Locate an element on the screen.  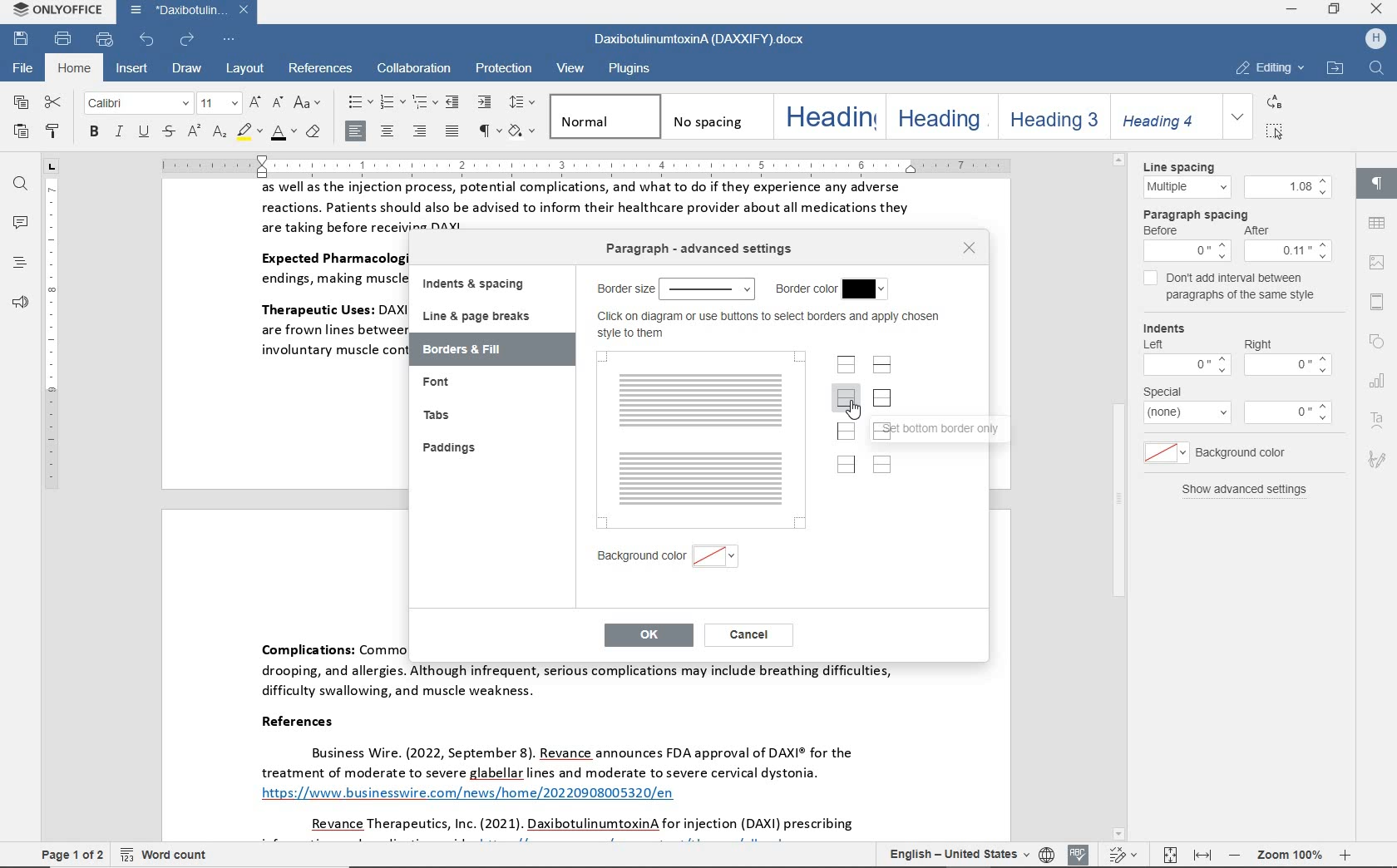
plugins is located at coordinates (632, 69).